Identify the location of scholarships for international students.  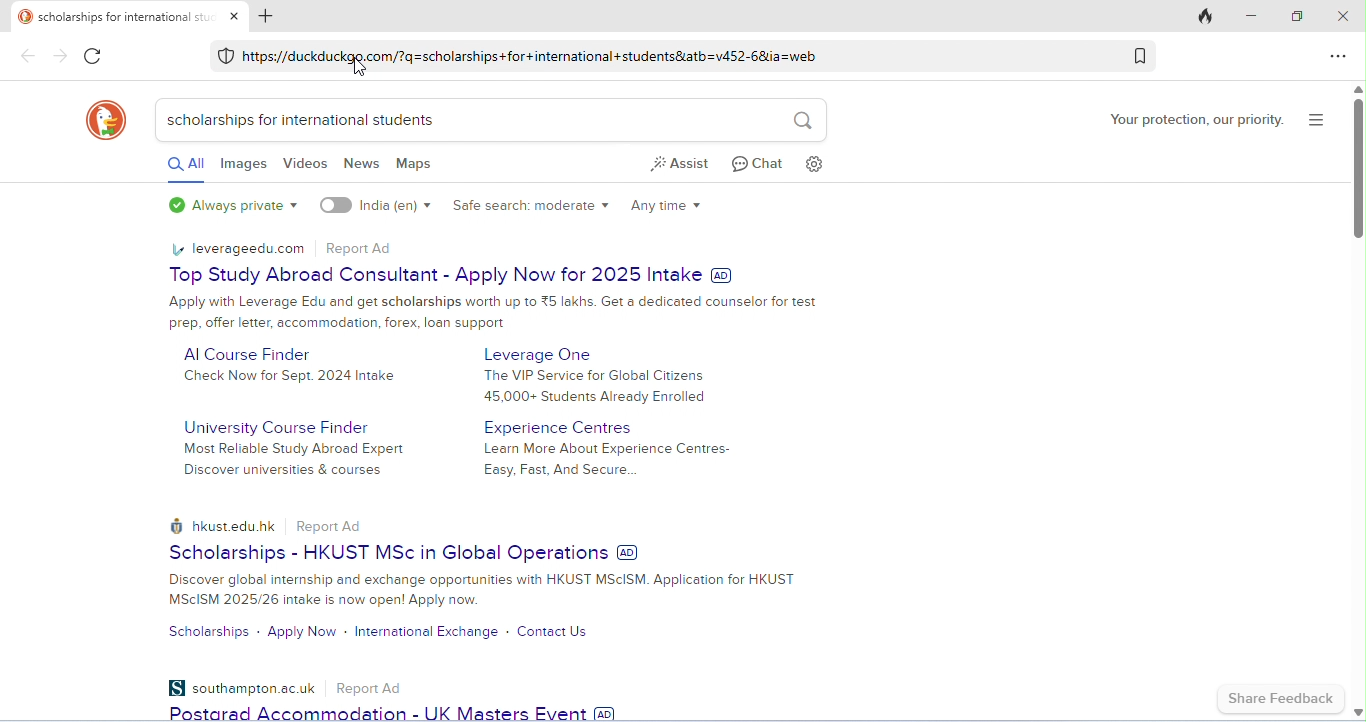
(303, 118).